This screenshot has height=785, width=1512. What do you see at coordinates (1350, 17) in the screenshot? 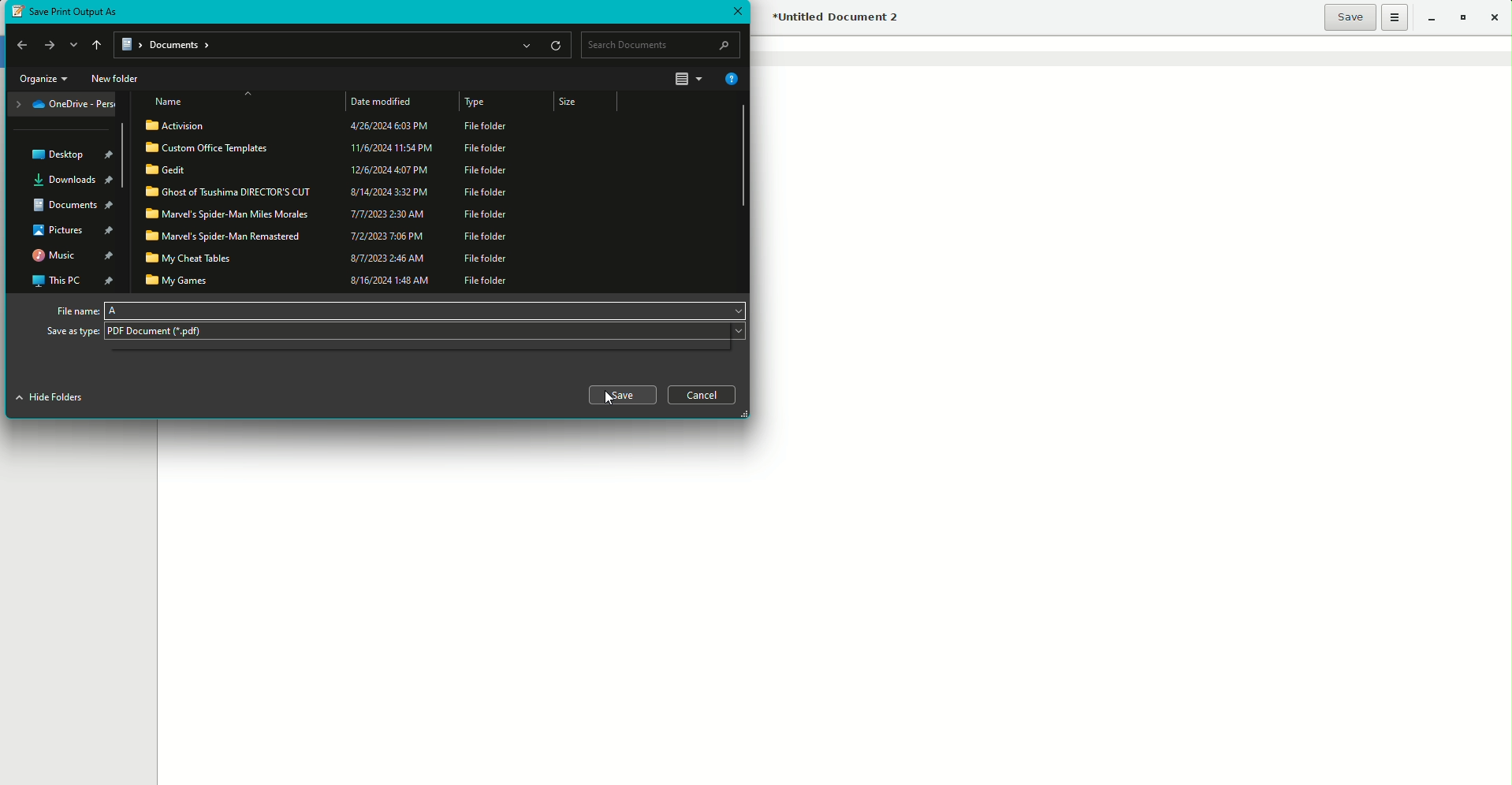
I see `Save` at bounding box center [1350, 17].